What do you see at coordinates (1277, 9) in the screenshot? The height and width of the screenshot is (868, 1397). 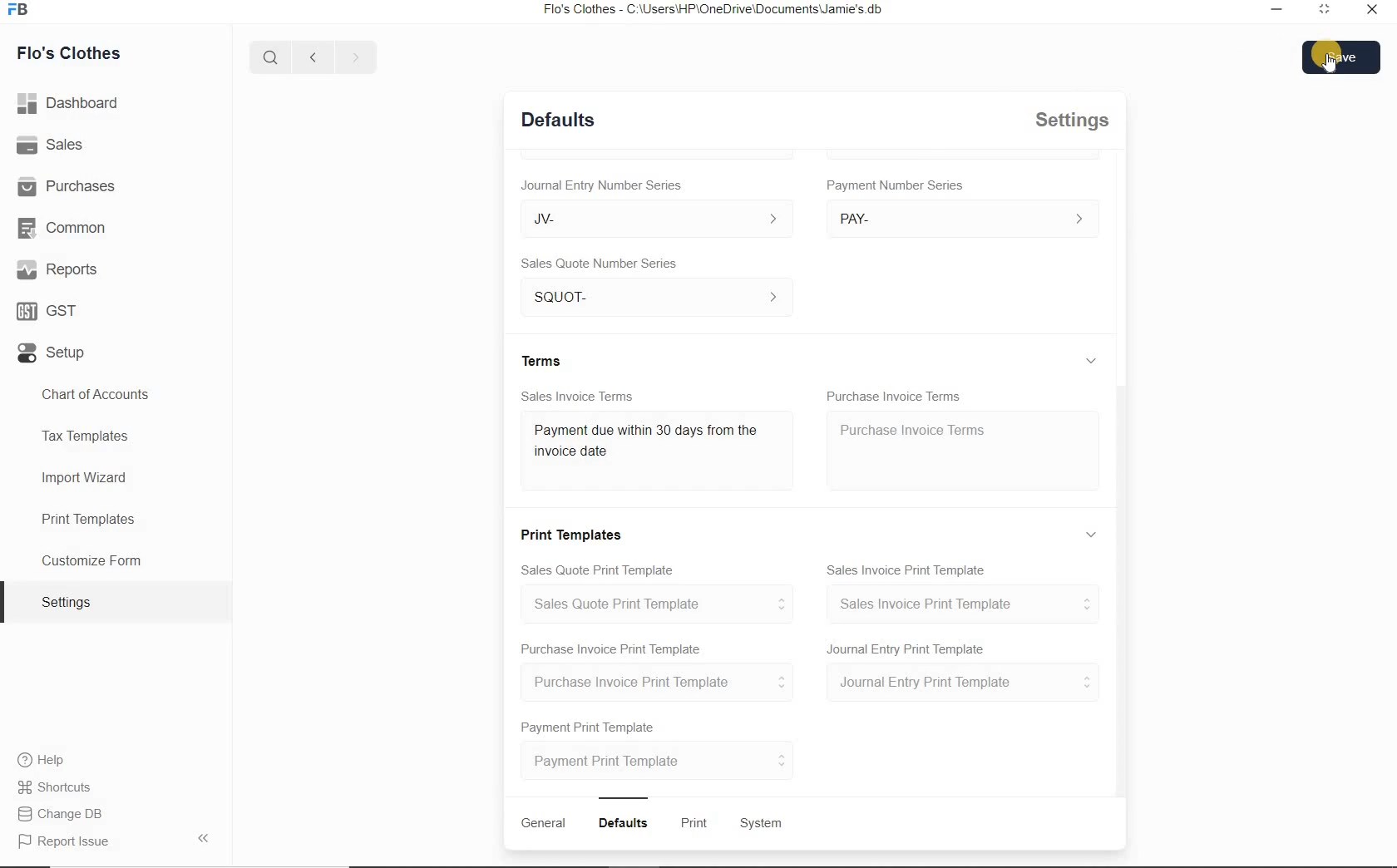 I see `Minimize` at bounding box center [1277, 9].